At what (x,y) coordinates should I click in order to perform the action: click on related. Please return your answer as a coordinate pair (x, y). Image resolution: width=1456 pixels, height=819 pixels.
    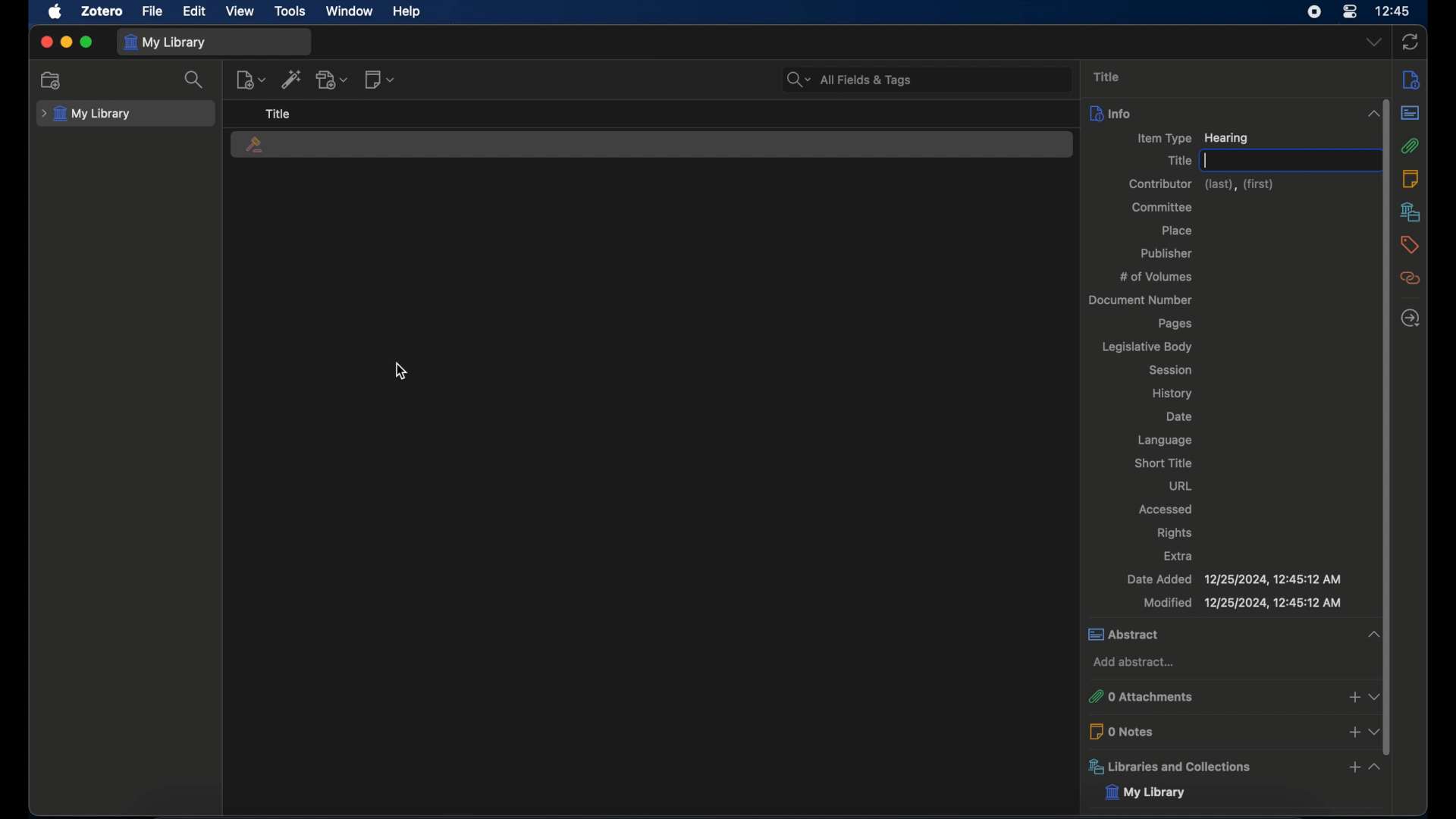
    Looking at the image, I should click on (1410, 278).